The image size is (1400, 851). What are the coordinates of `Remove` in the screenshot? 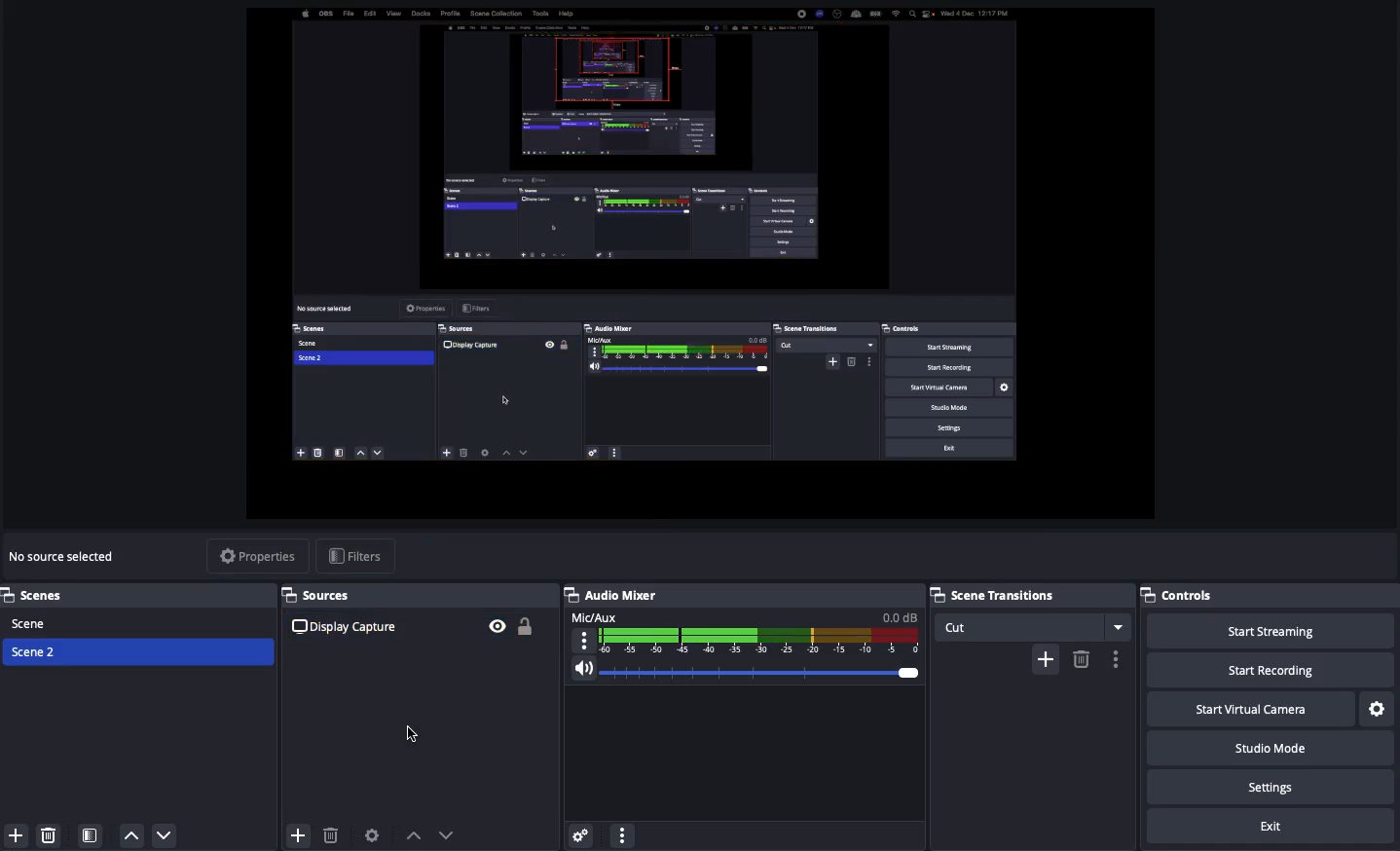 It's located at (48, 833).